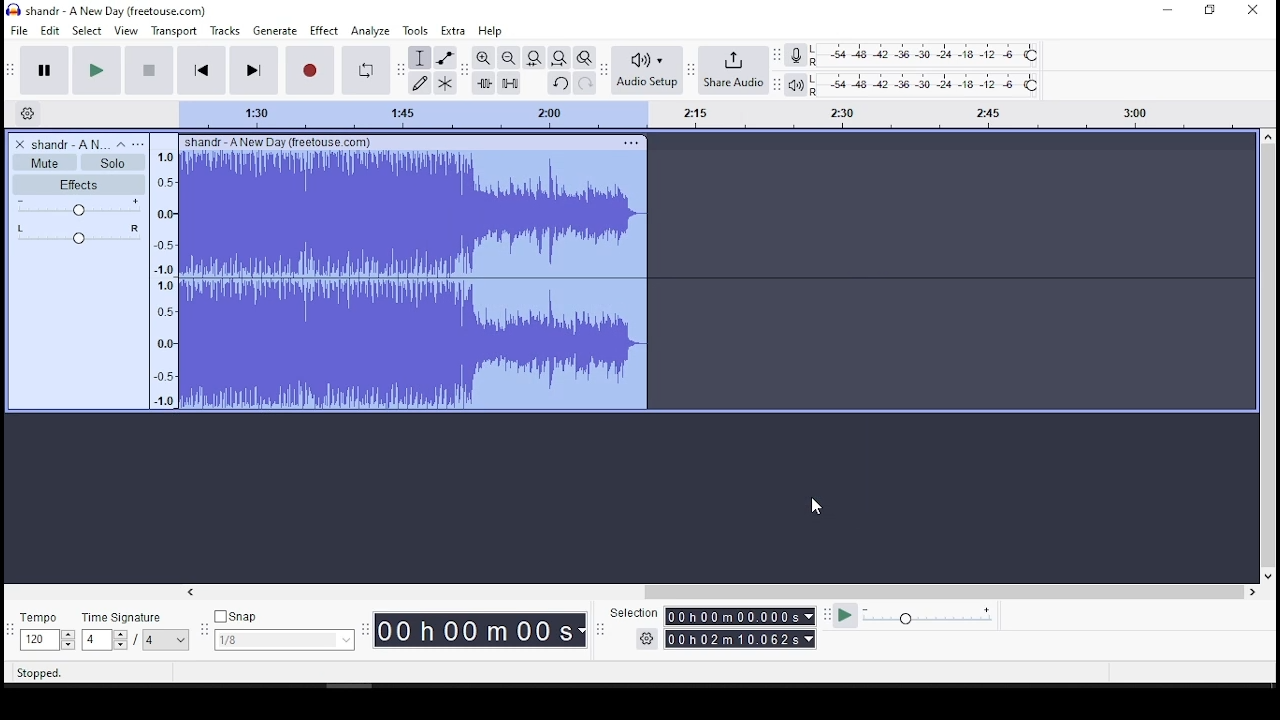  Describe the element at coordinates (920, 618) in the screenshot. I see `playback speed` at that location.